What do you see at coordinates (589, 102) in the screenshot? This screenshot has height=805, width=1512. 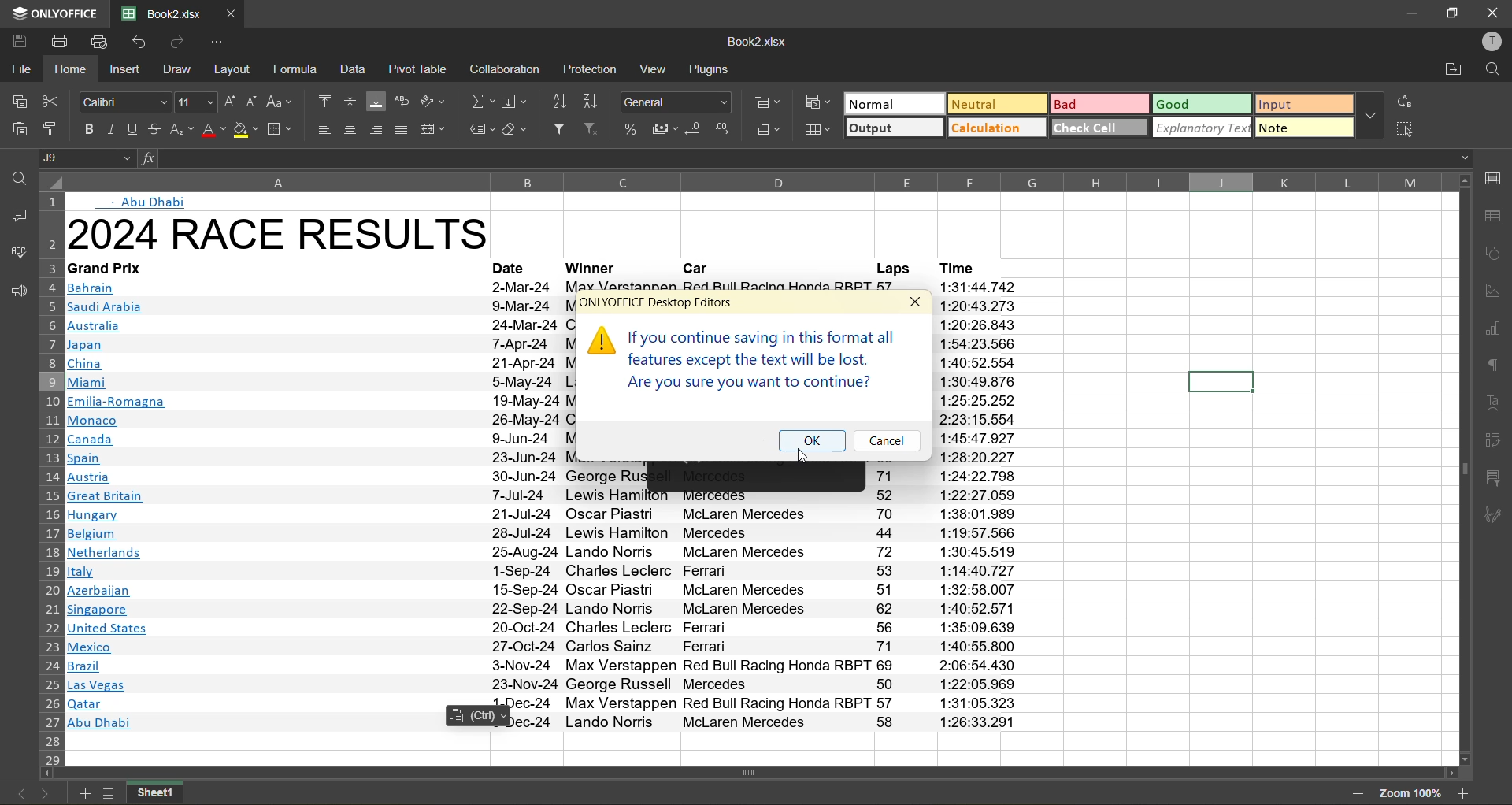 I see `sort descending` at bounding box center [589, 102].